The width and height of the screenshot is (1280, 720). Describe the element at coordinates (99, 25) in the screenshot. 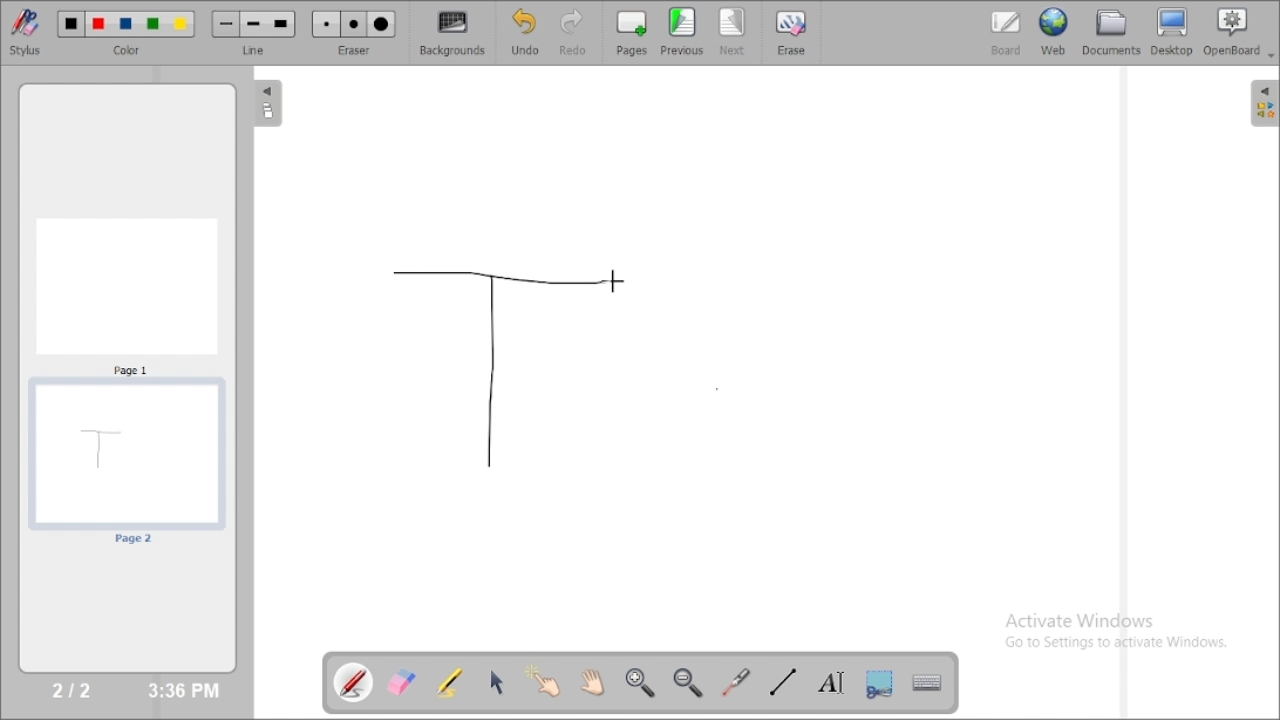

I see `Color 2` at that location.